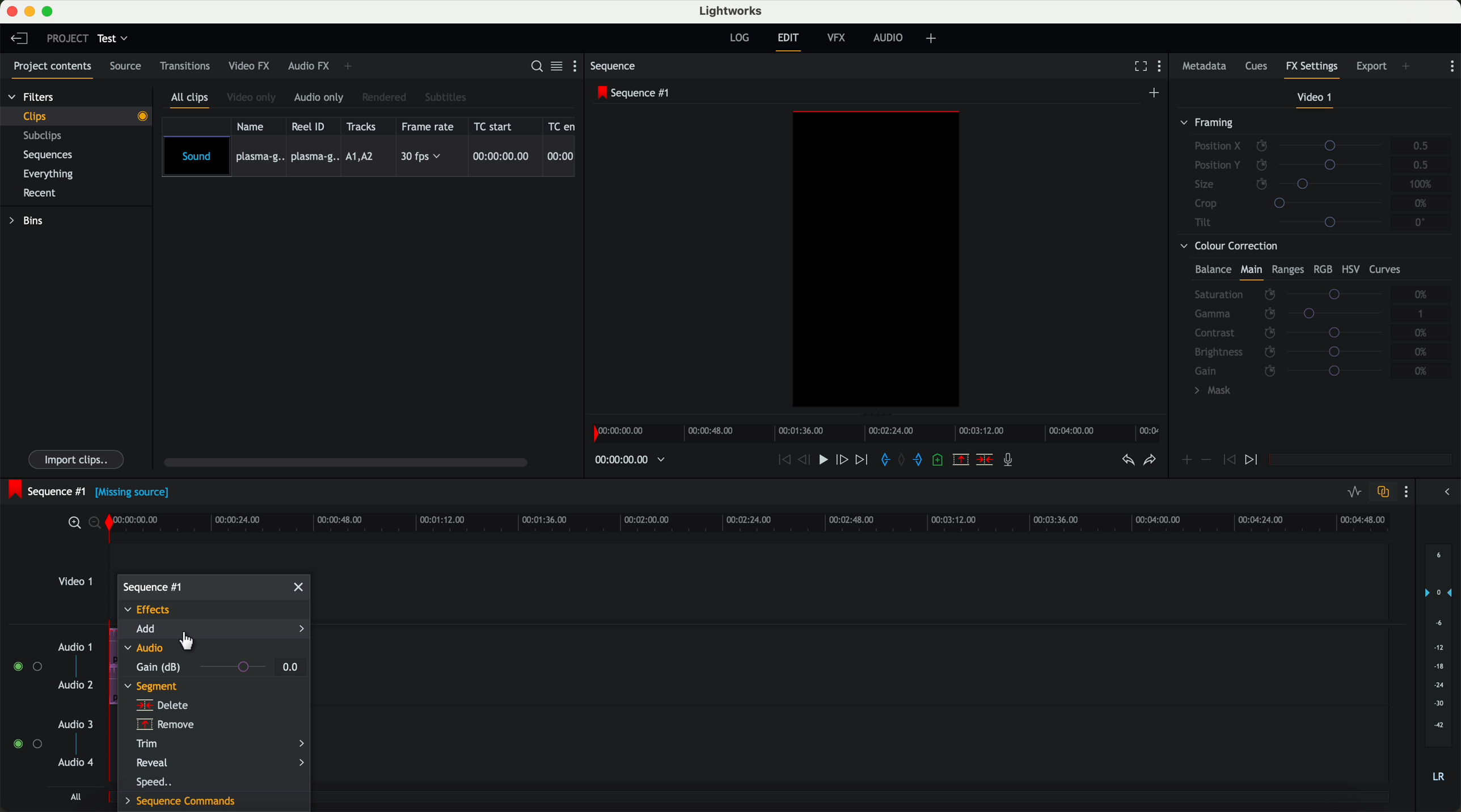 This screenshot has width=1461, height=812. Describe the element at coordinates (1312, 68) in the screenshot. I see `FX settings` at that location.